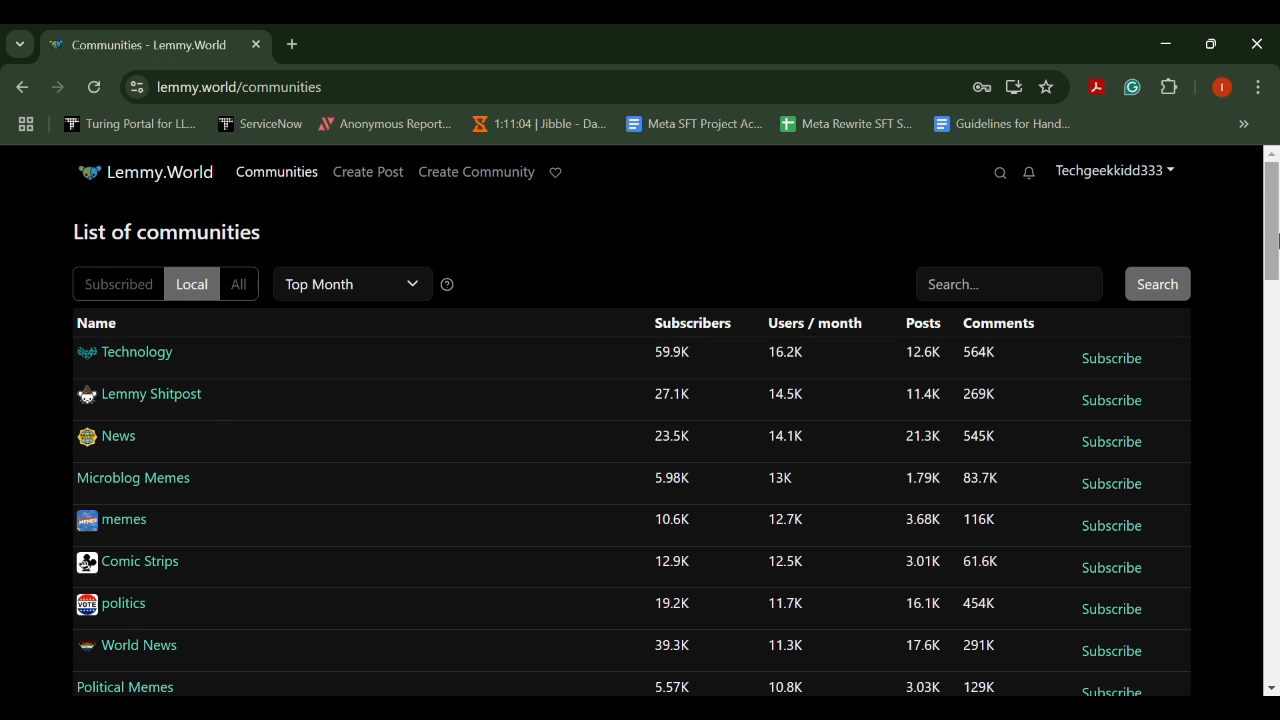 The image size is (1280, 720). What do you see at coordinates (1112, 357) in the screenshot?
I see `Subscribe` at bounding box center [1112, 357].